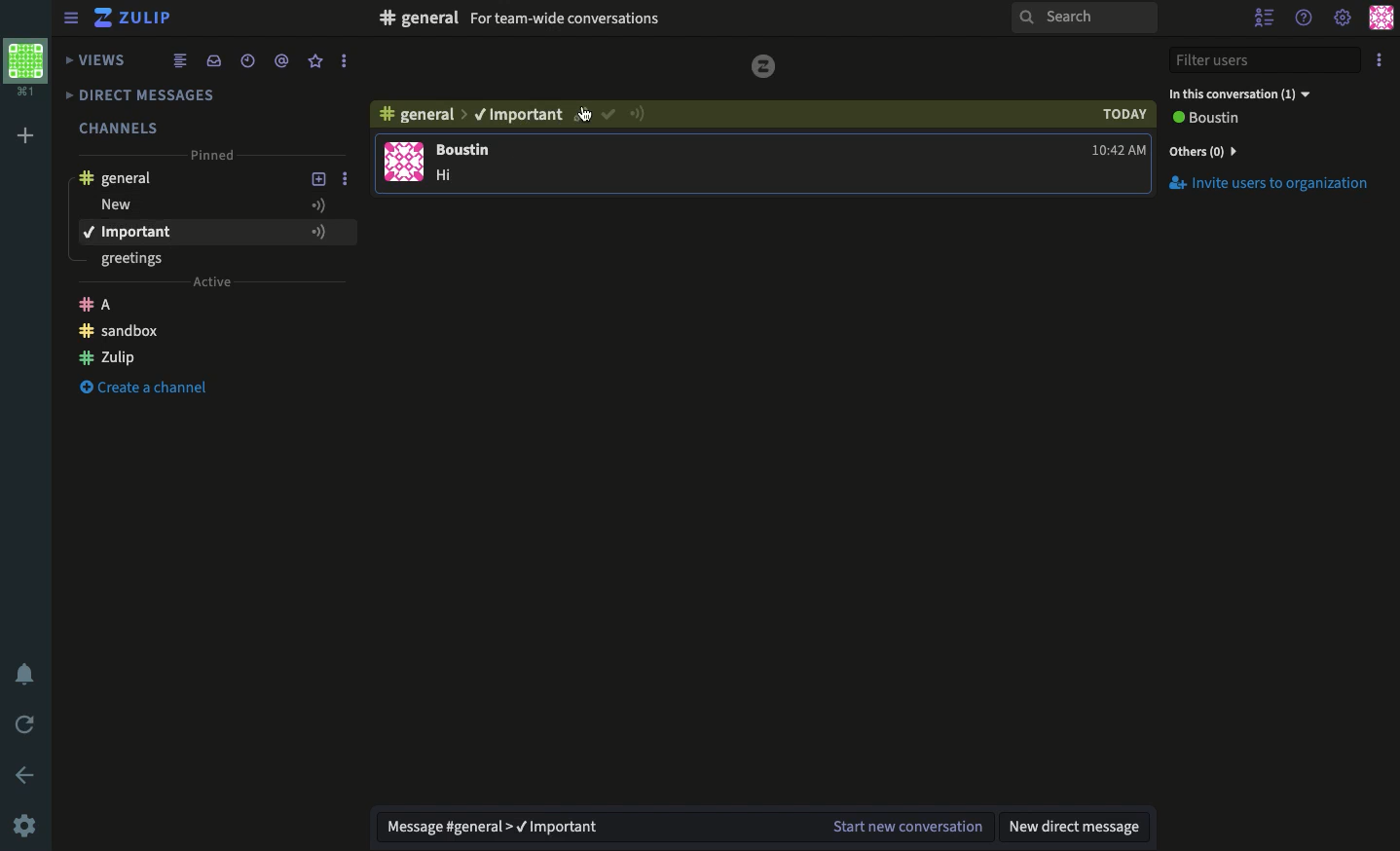  I want to click on Active, so click(212, 284).